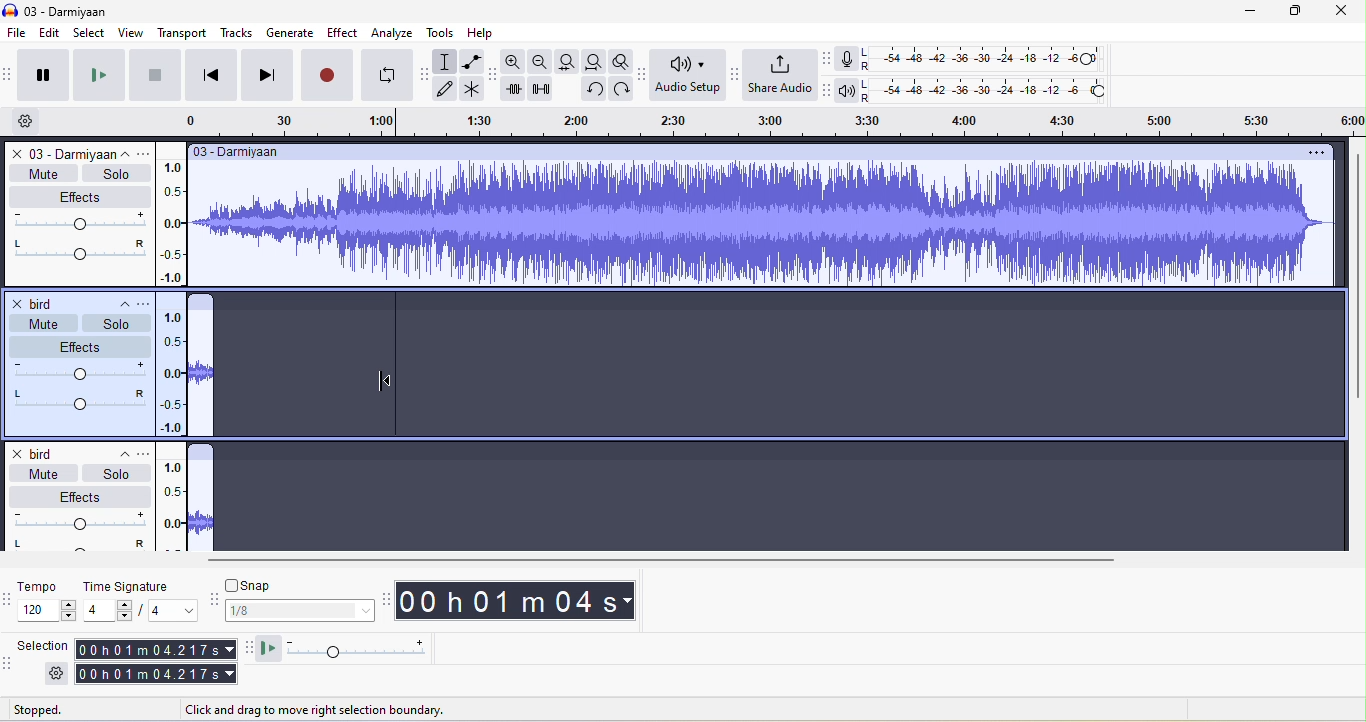  Describe the element at coordinates (449, 61) in the screenshot. I see `selection tool` at that location.